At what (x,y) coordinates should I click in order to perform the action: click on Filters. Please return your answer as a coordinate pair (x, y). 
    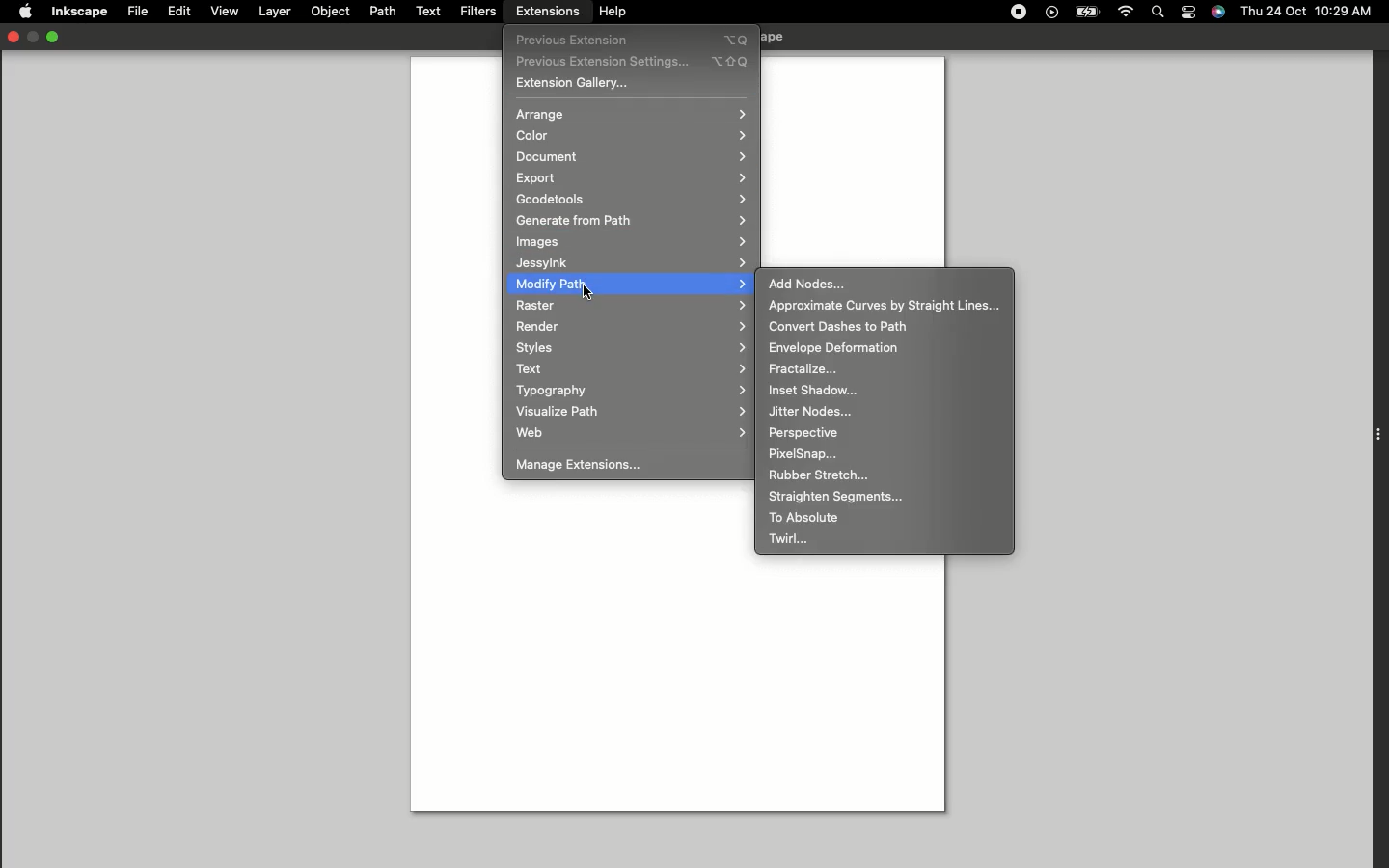
    Looking at the image, I should click on (478, 12).